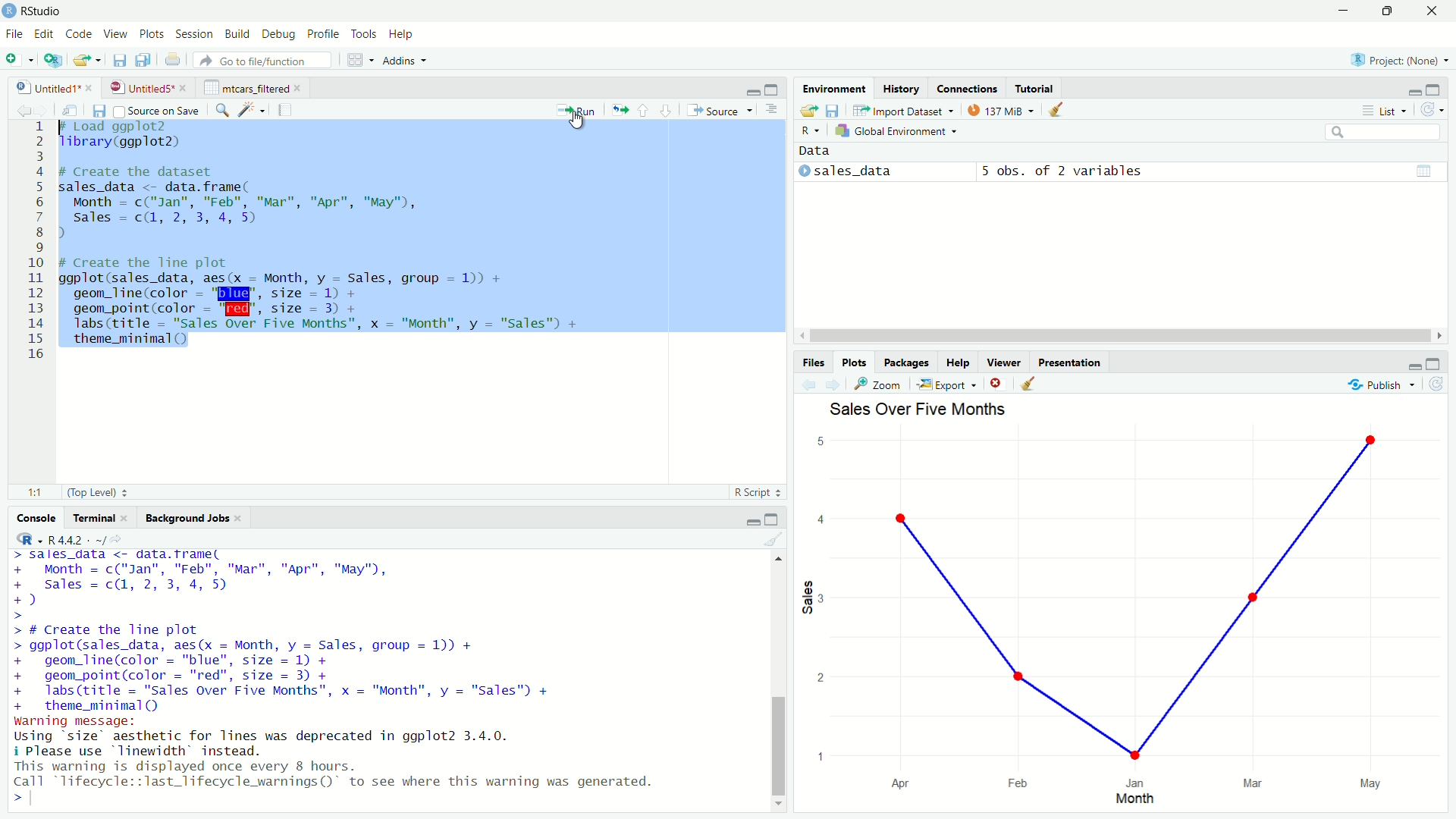 This screenshot has width=1456, height=819. I want to click on clear current plot, so click(998, 384).